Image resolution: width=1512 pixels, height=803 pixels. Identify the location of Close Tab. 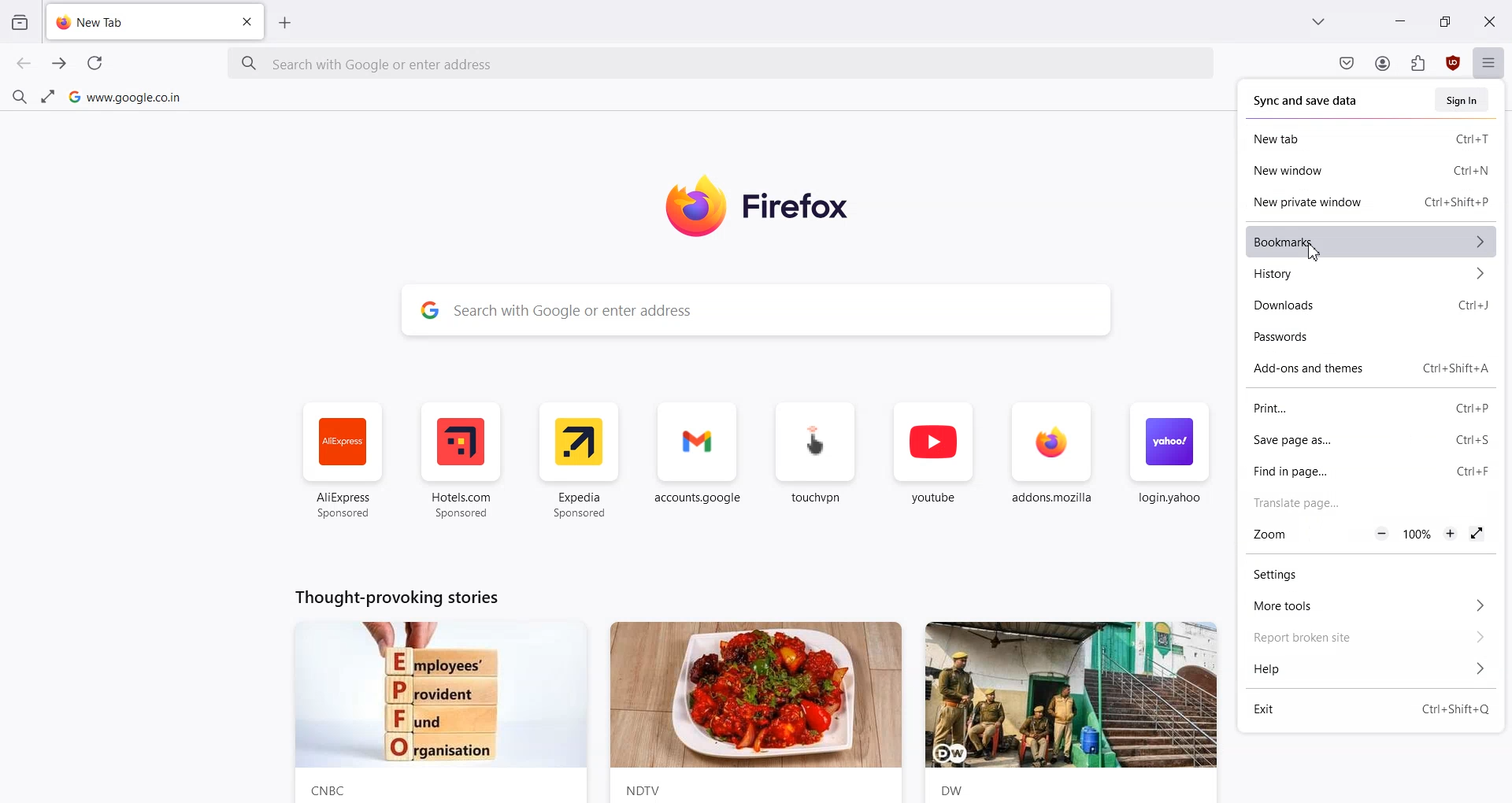
(247, 22).